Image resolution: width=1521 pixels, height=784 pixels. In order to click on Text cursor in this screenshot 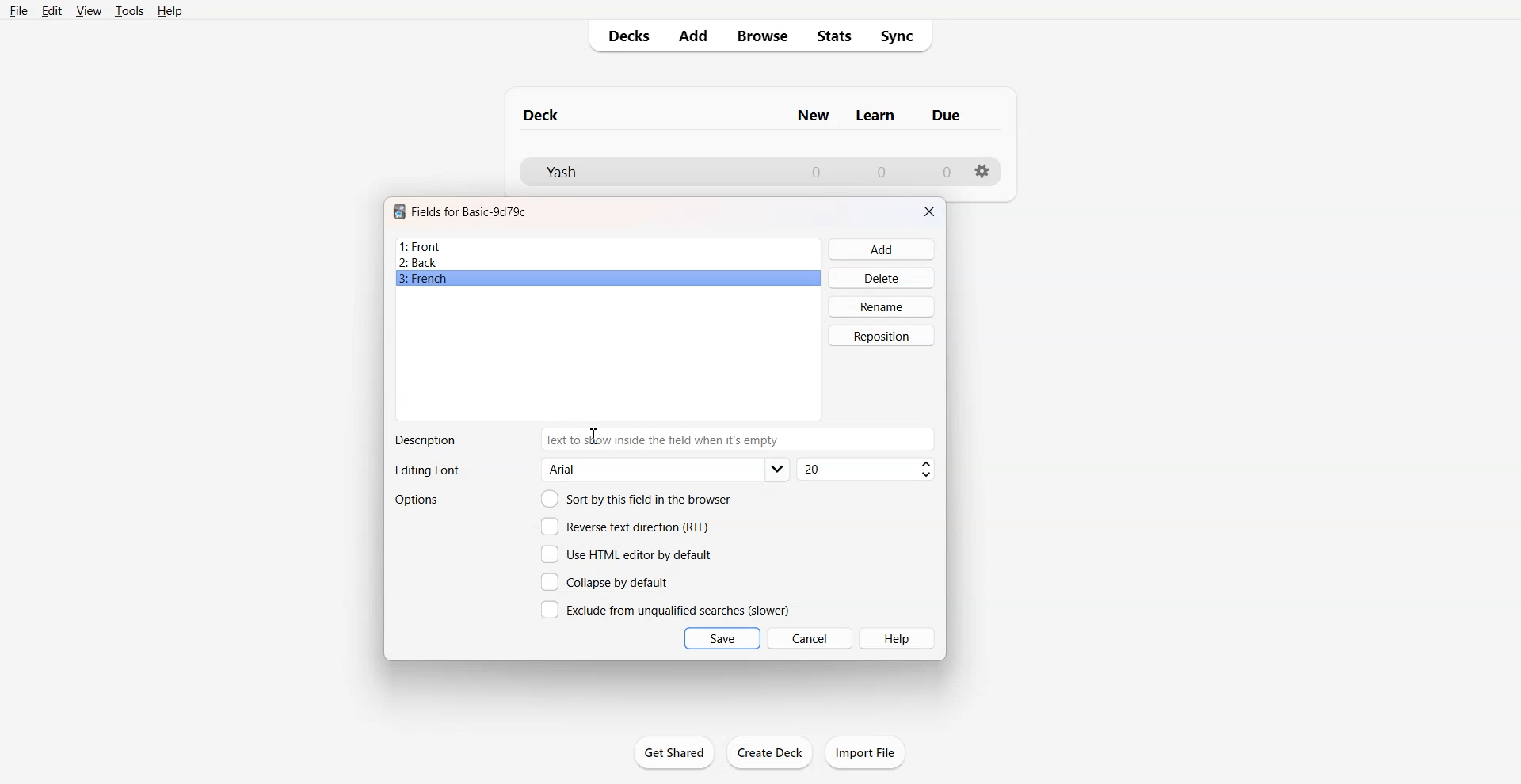, I will do `click(593, 436)`.